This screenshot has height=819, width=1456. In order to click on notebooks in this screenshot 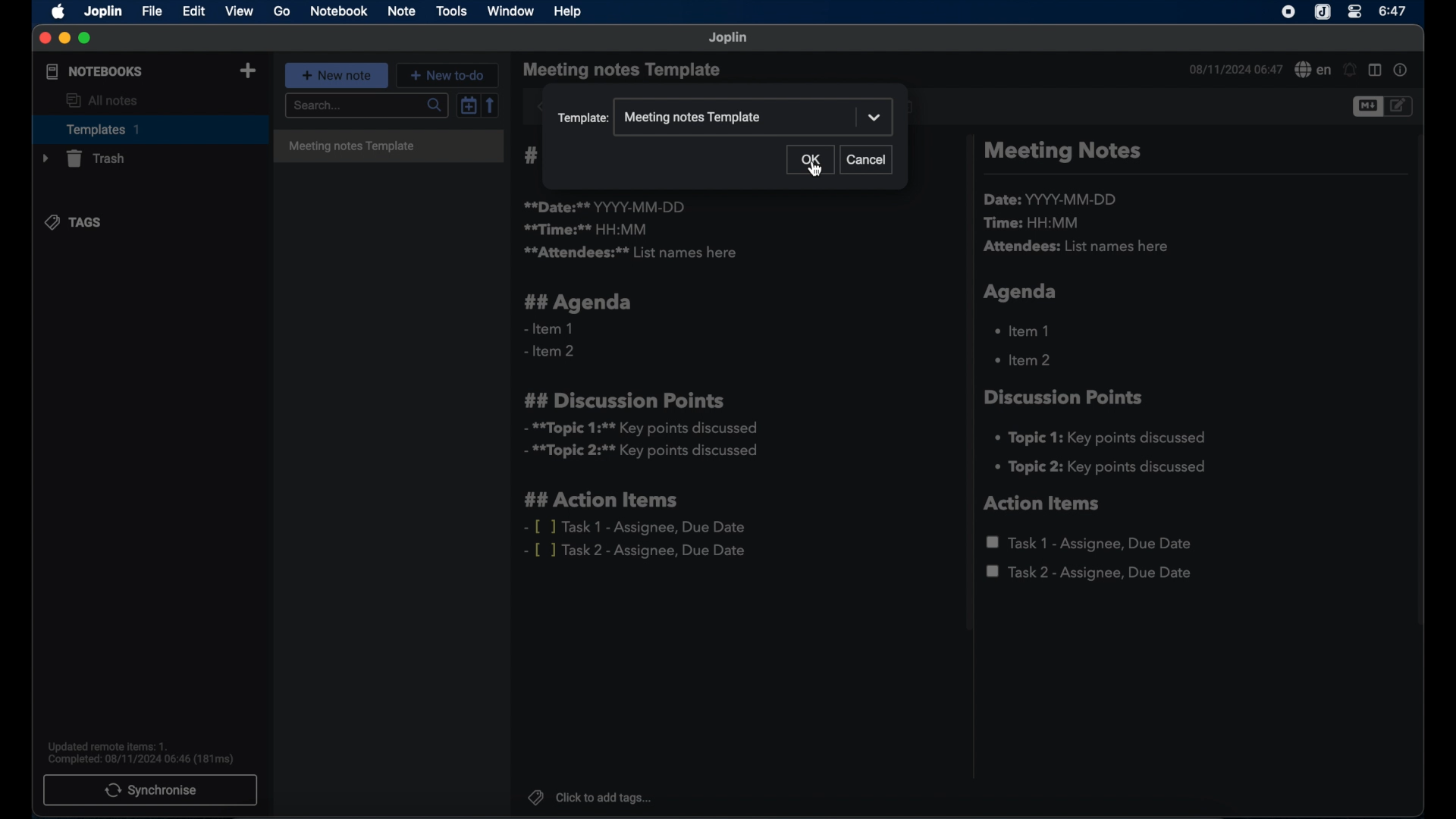, I will do `click(93, 72)`.